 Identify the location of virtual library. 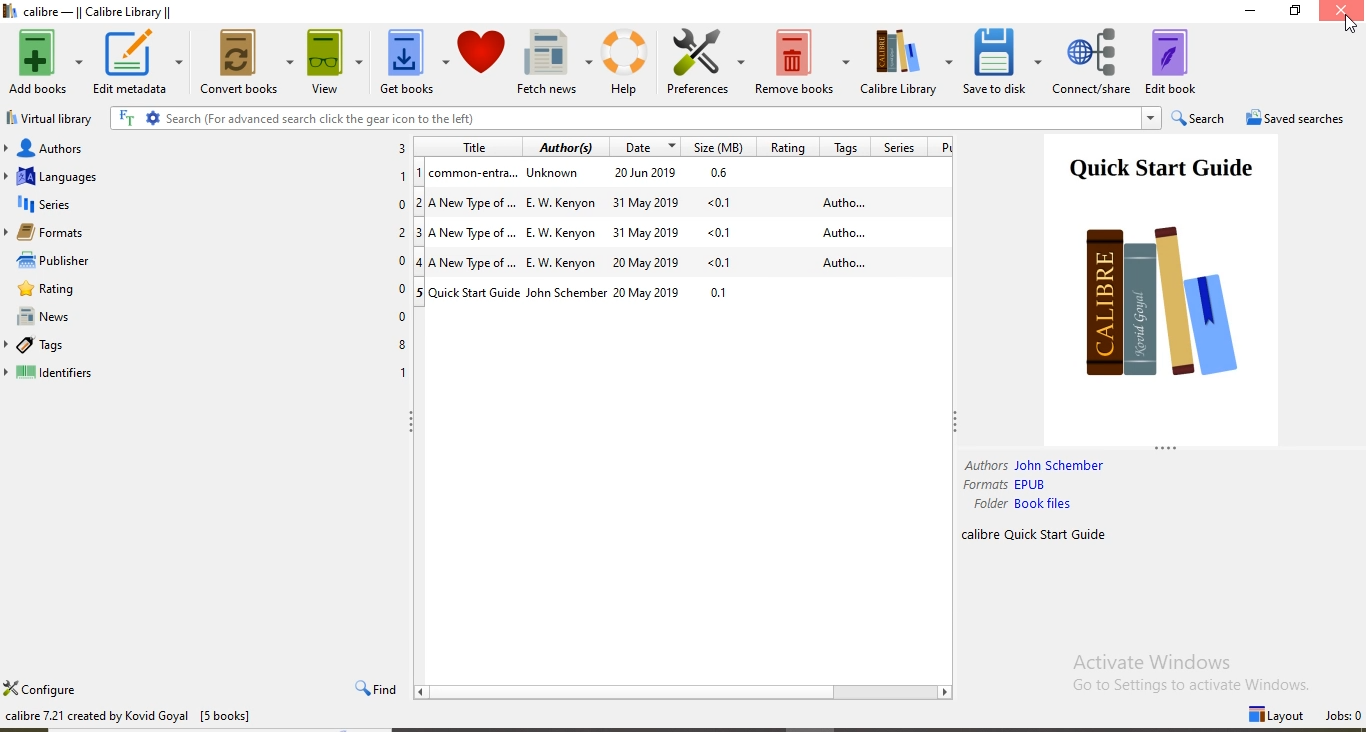
(53, 118).